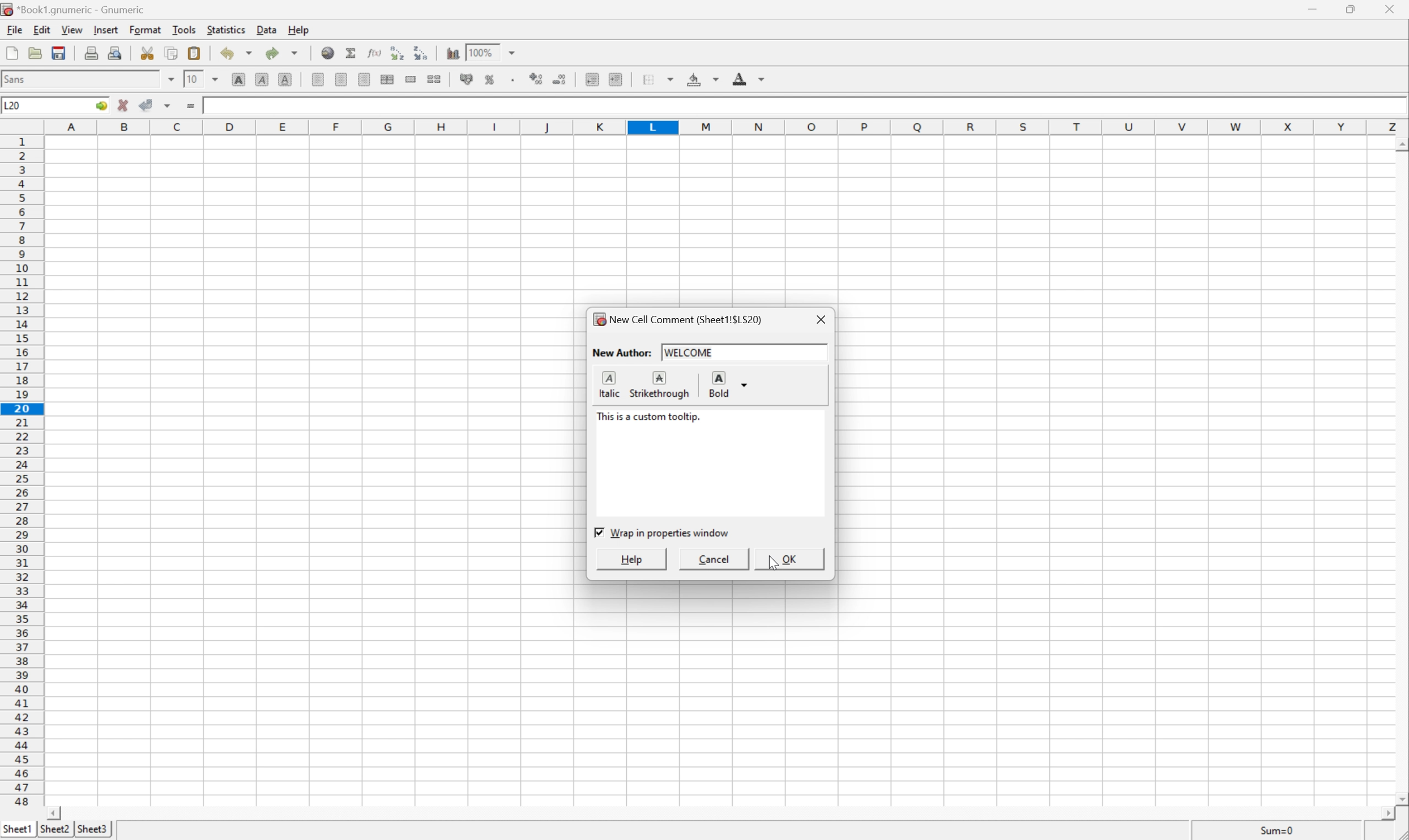 The image size is (1409, 840). What do you see at coordinates (124, 106) in the screenshot?
I see `Cancel changes` at bounding box center [124, 106].